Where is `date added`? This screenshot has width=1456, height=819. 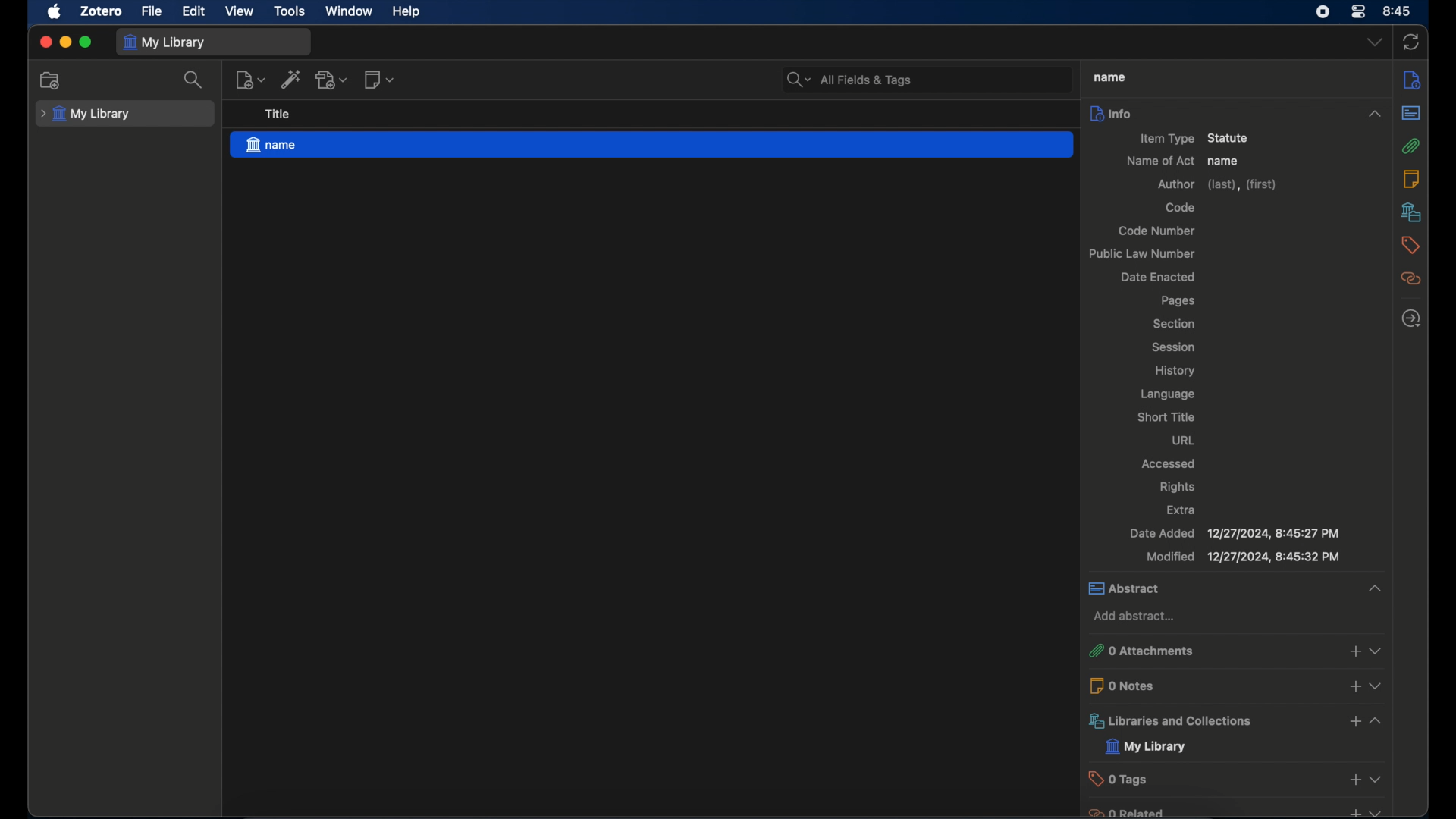
date added is located at coordinates (1232, 534).